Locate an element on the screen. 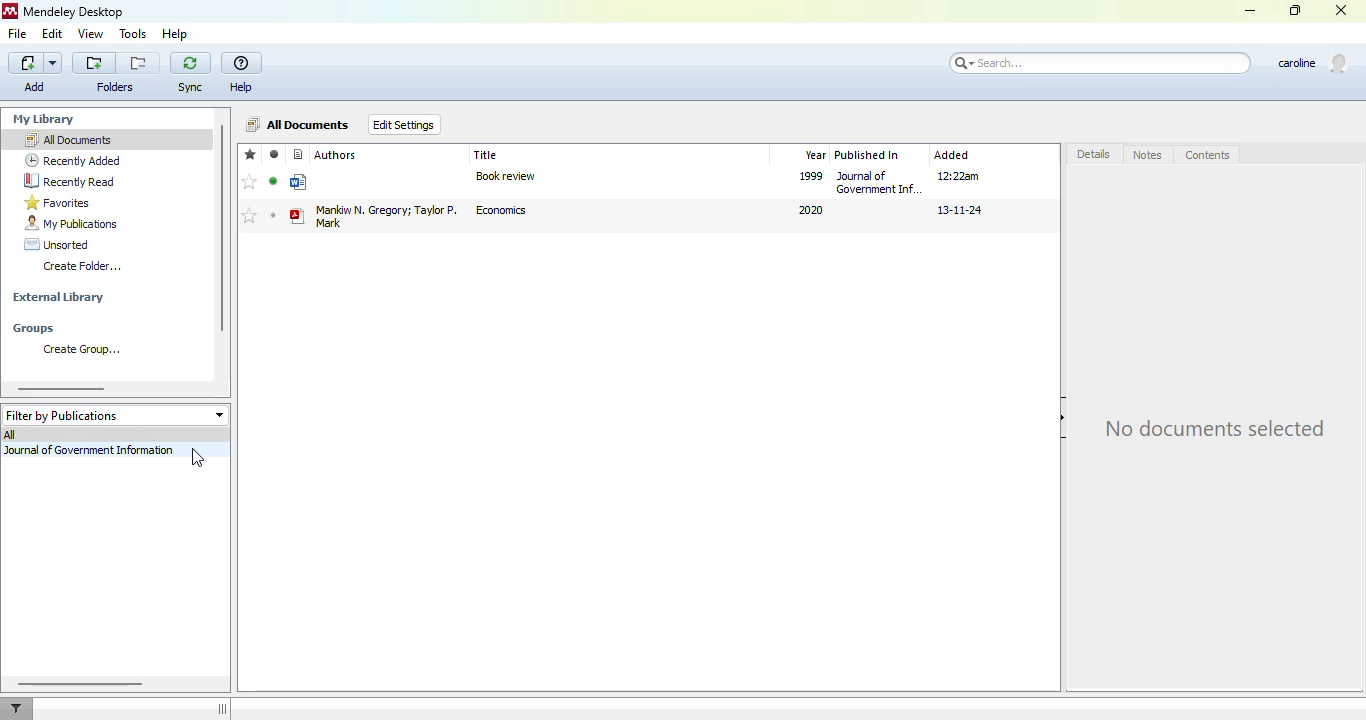 The image size is (1366, 720). file is located at coordinates (18, 34).